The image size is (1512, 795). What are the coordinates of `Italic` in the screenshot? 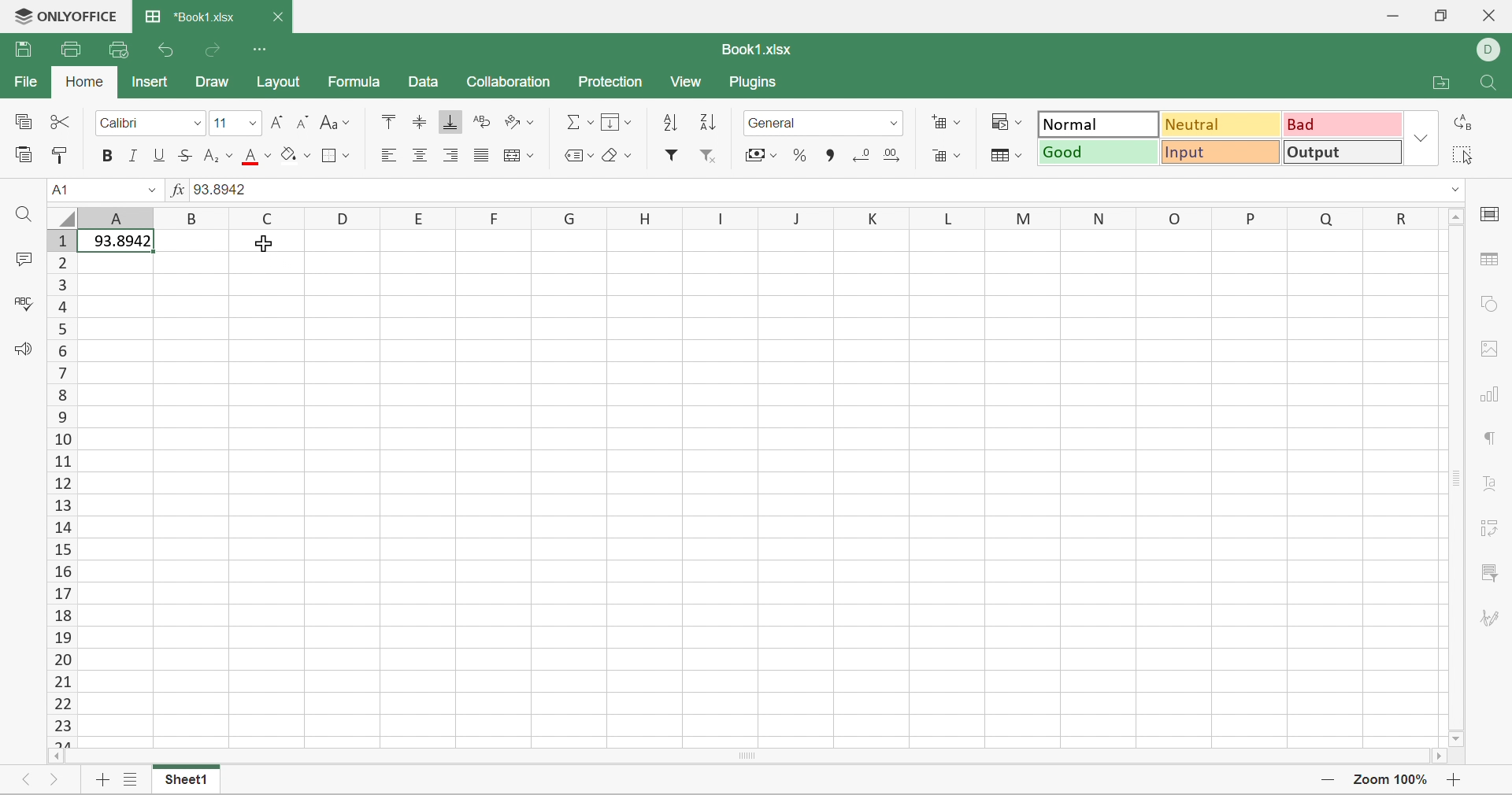 It's located at (133, 154).